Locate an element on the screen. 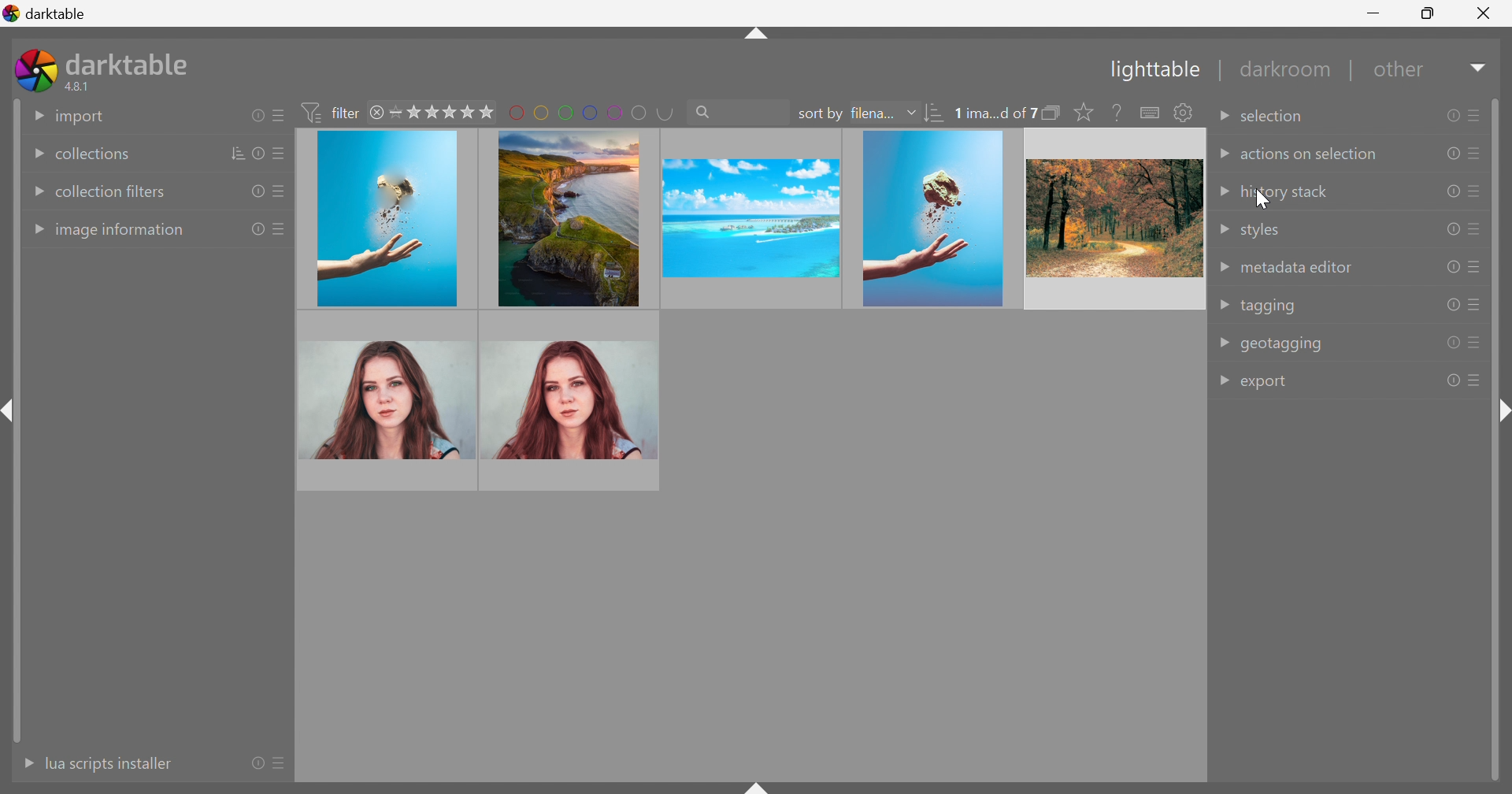 The image size is (1512, 794). darktable is located at coordinates (46, 11).